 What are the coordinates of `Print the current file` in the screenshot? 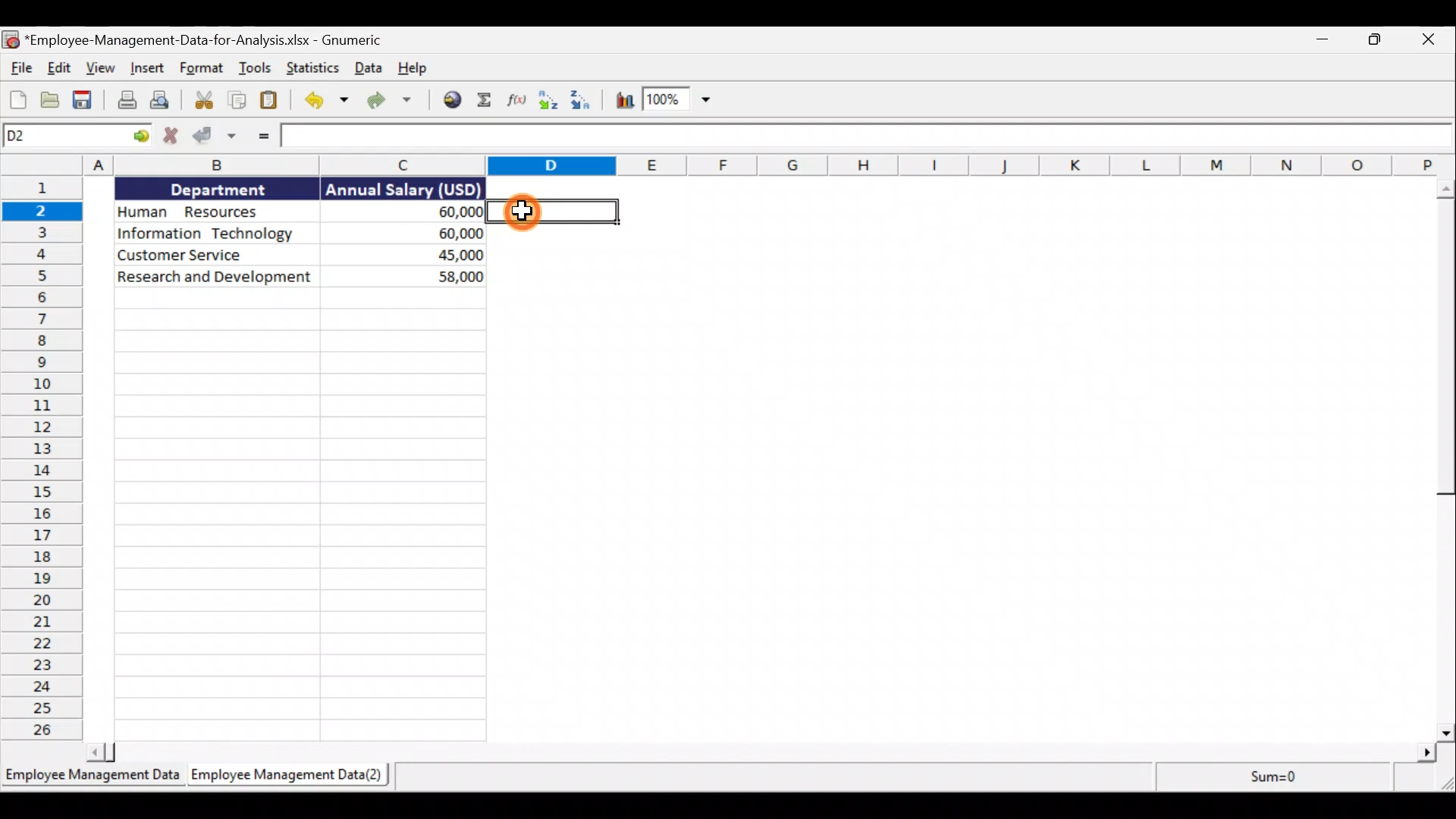 It's located at (123, 102).